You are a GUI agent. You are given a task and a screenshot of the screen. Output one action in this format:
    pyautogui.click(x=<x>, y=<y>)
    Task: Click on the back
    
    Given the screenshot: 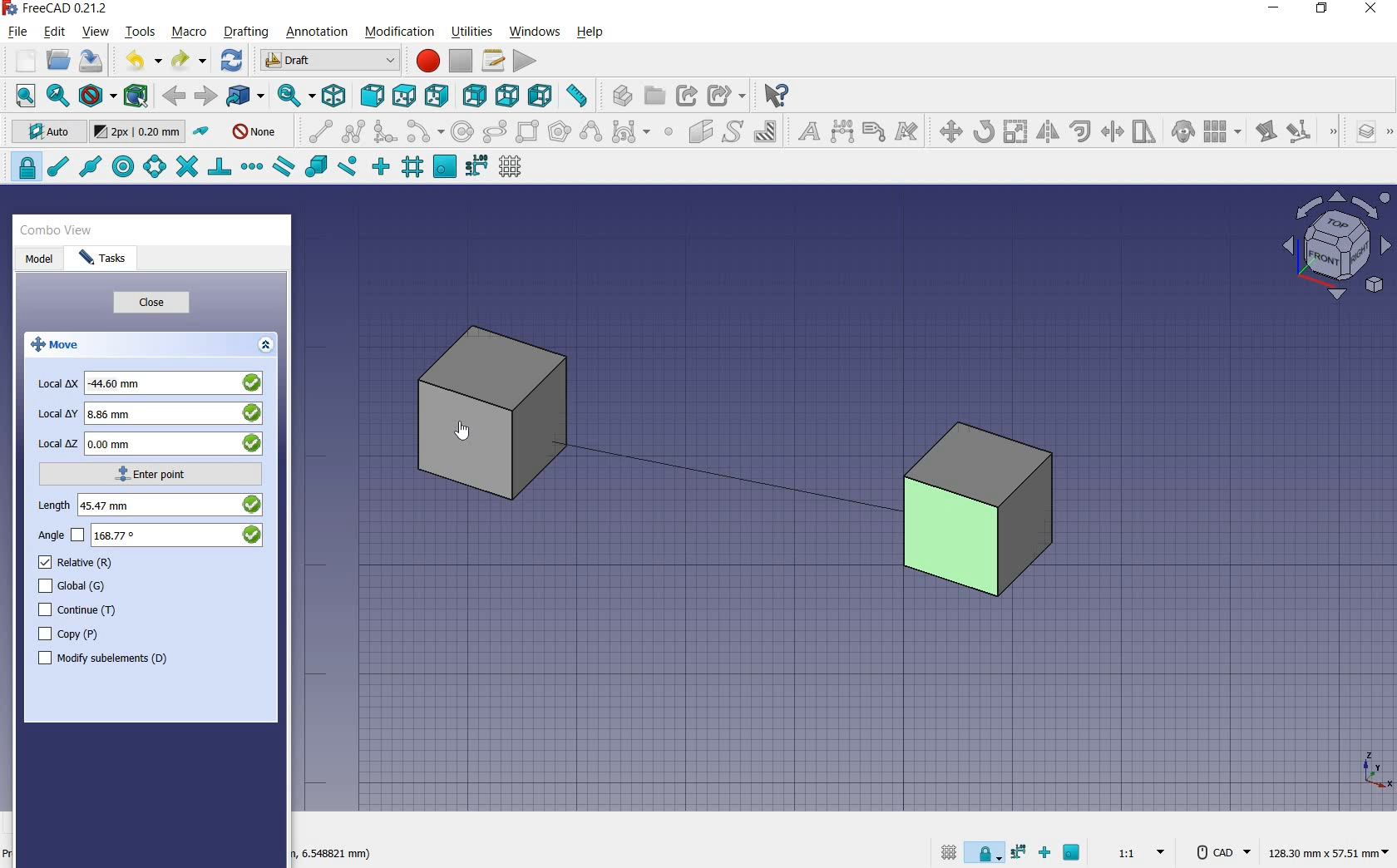 What is the action you would take?
    pyautogui.click(x=175, y=96)
    